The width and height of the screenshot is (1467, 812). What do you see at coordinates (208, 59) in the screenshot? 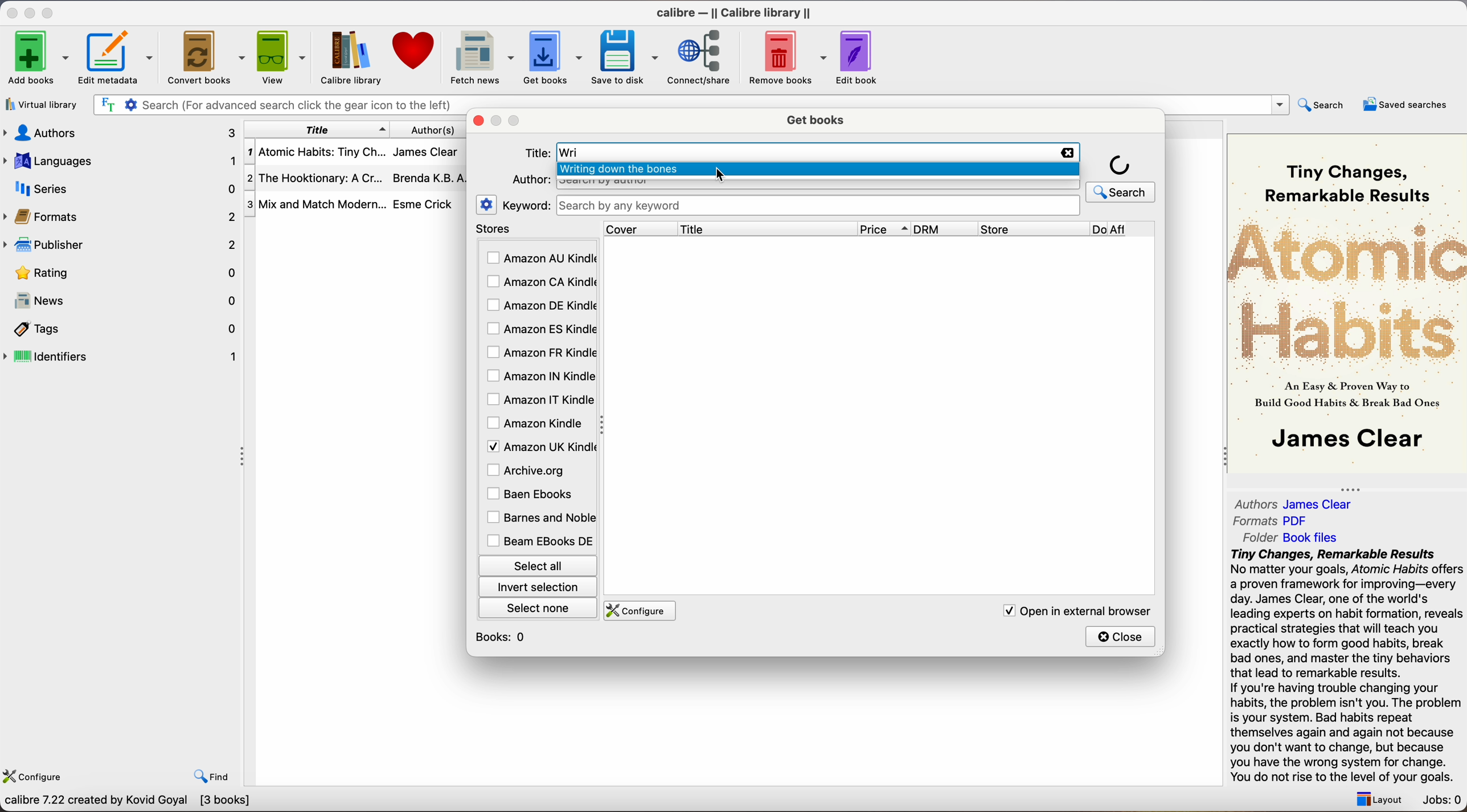
I see `convert books` at bounding box center [208, 59].